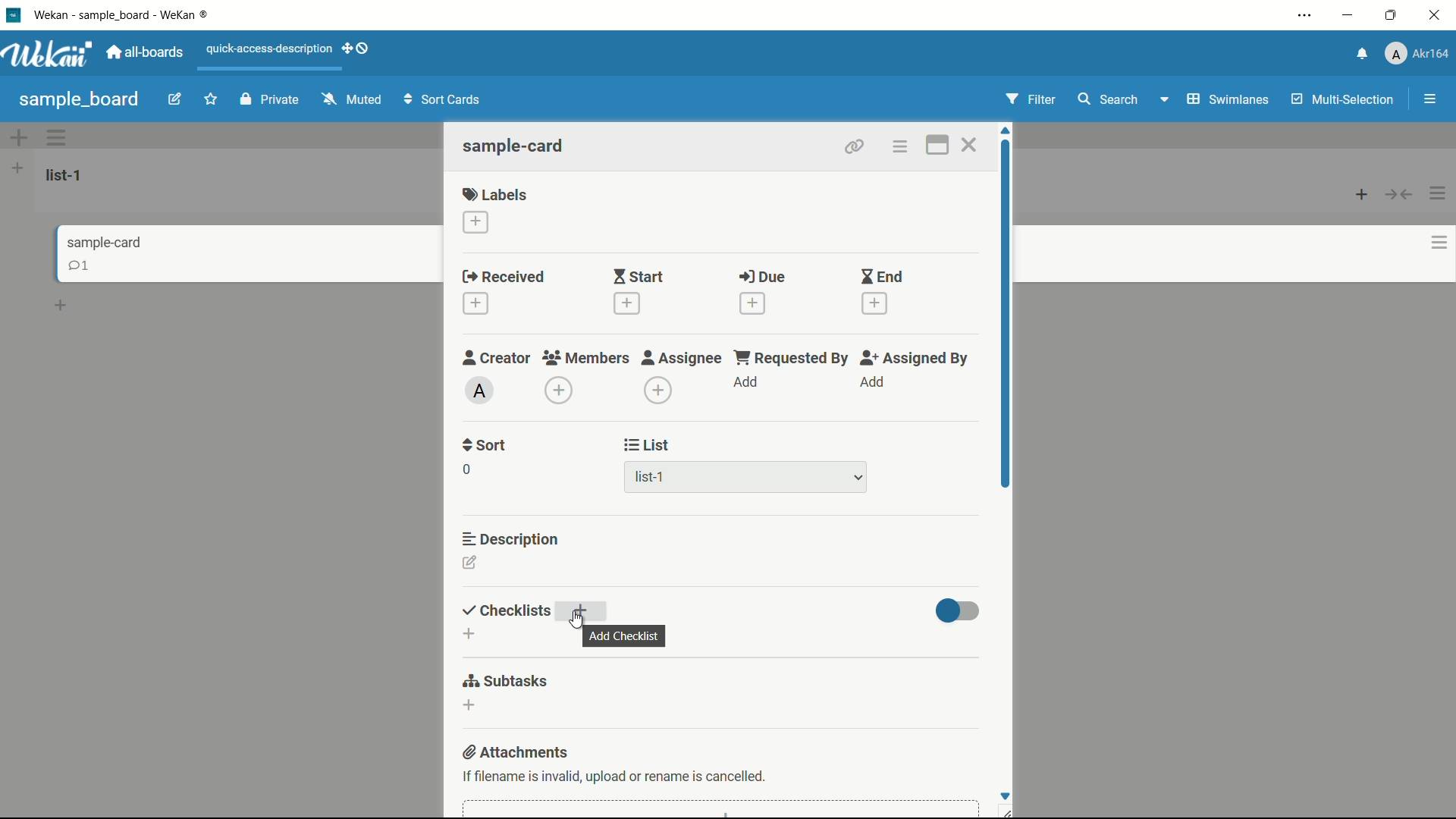 The image size is (1456, 819). I want to click on add date, so click(752, 304).